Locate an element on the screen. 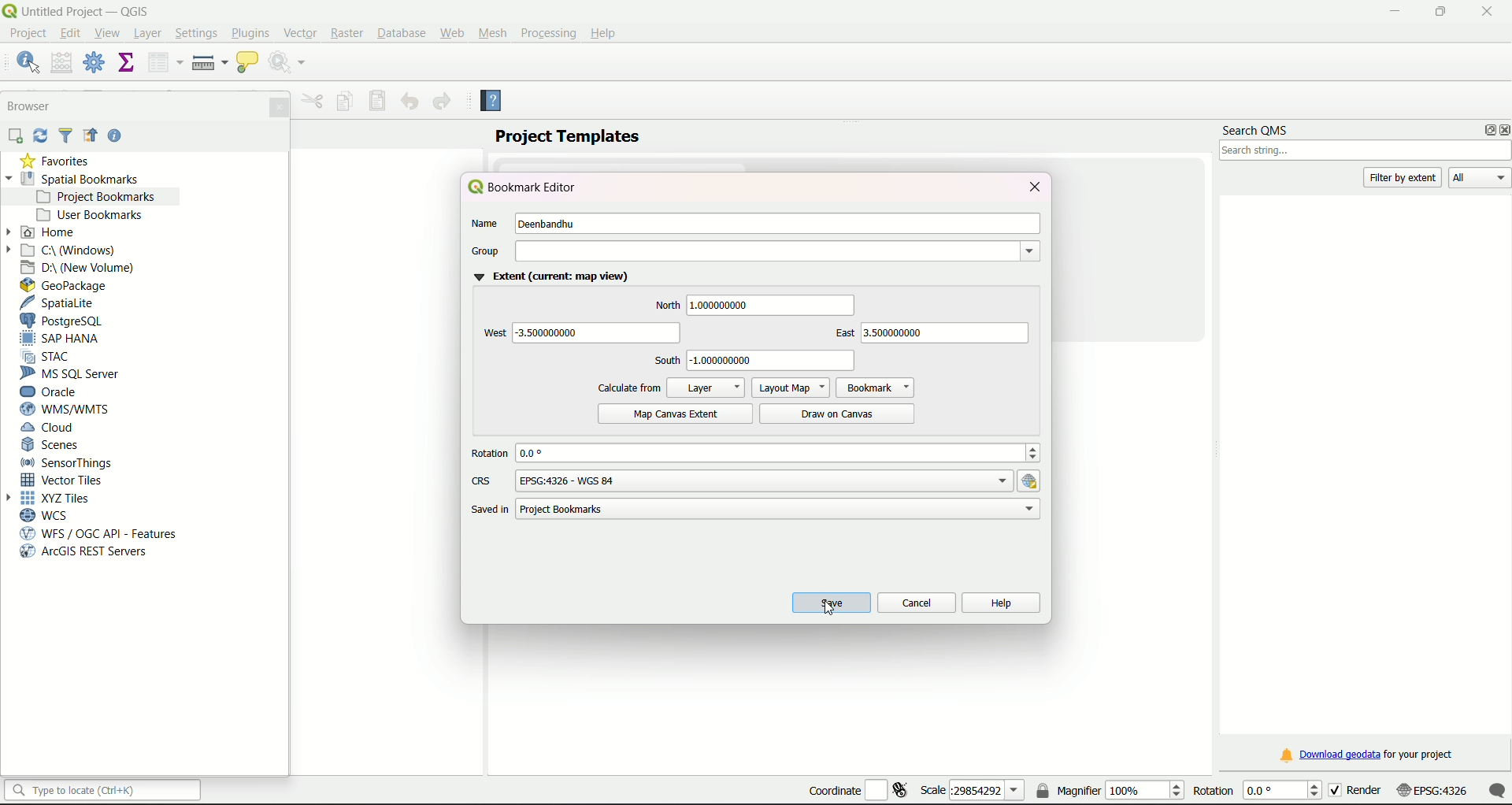 This screenshot has height=805, width=1512. Vector is located at coordinates (301, 31).